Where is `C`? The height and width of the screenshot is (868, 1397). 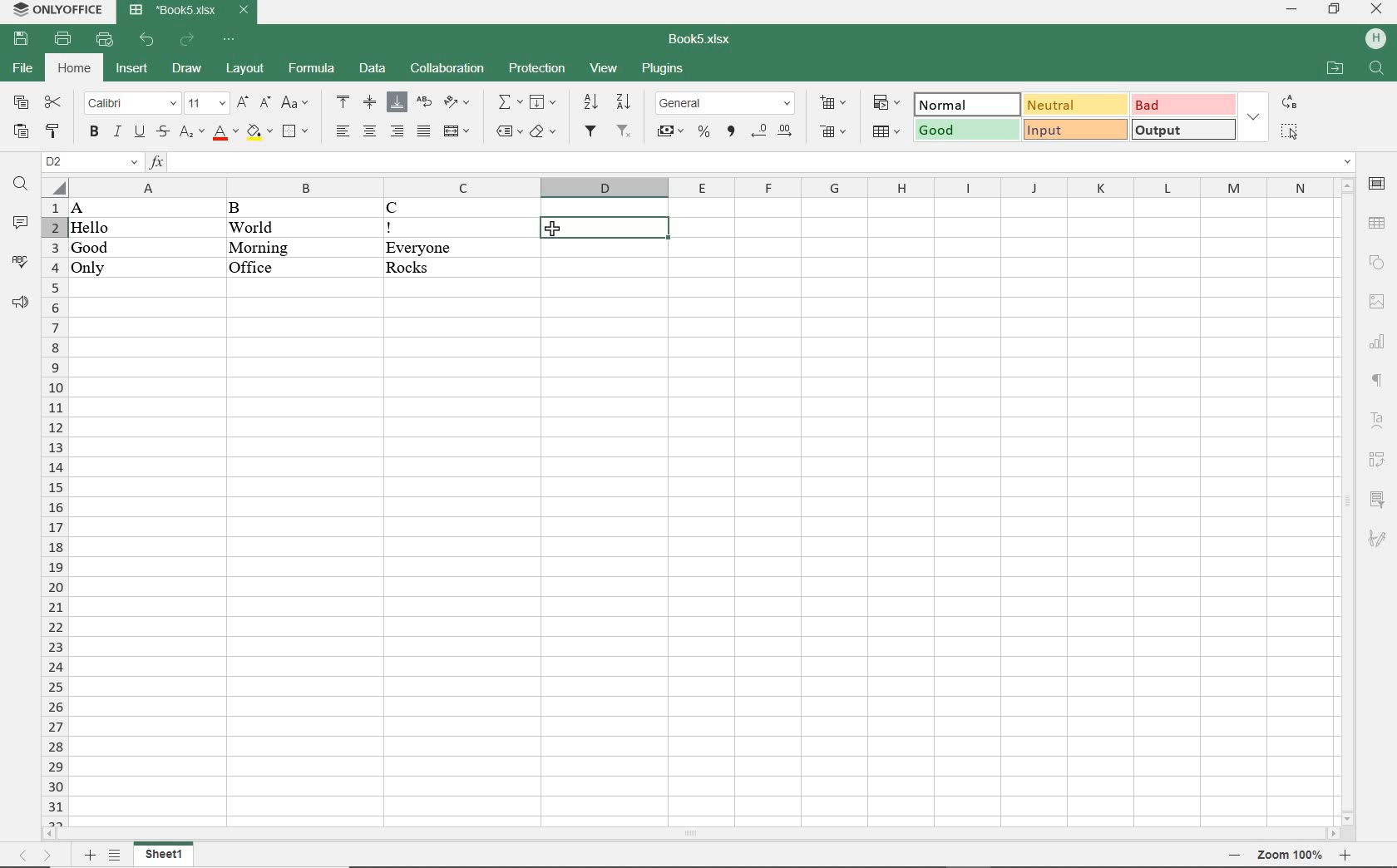 C is located at coordinates (448, 209).